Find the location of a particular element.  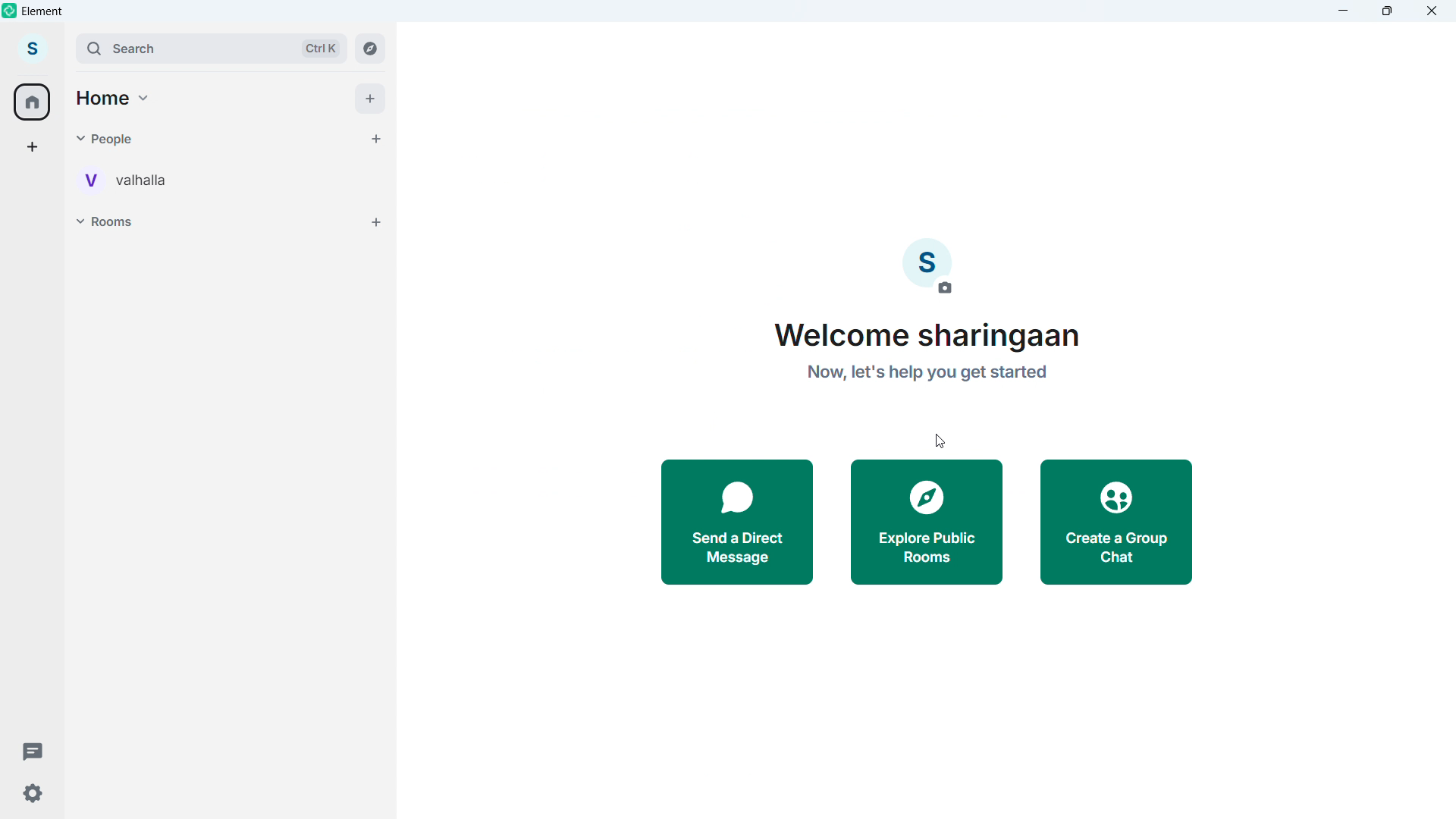

Create a space  is located at coordinates (33, 147).